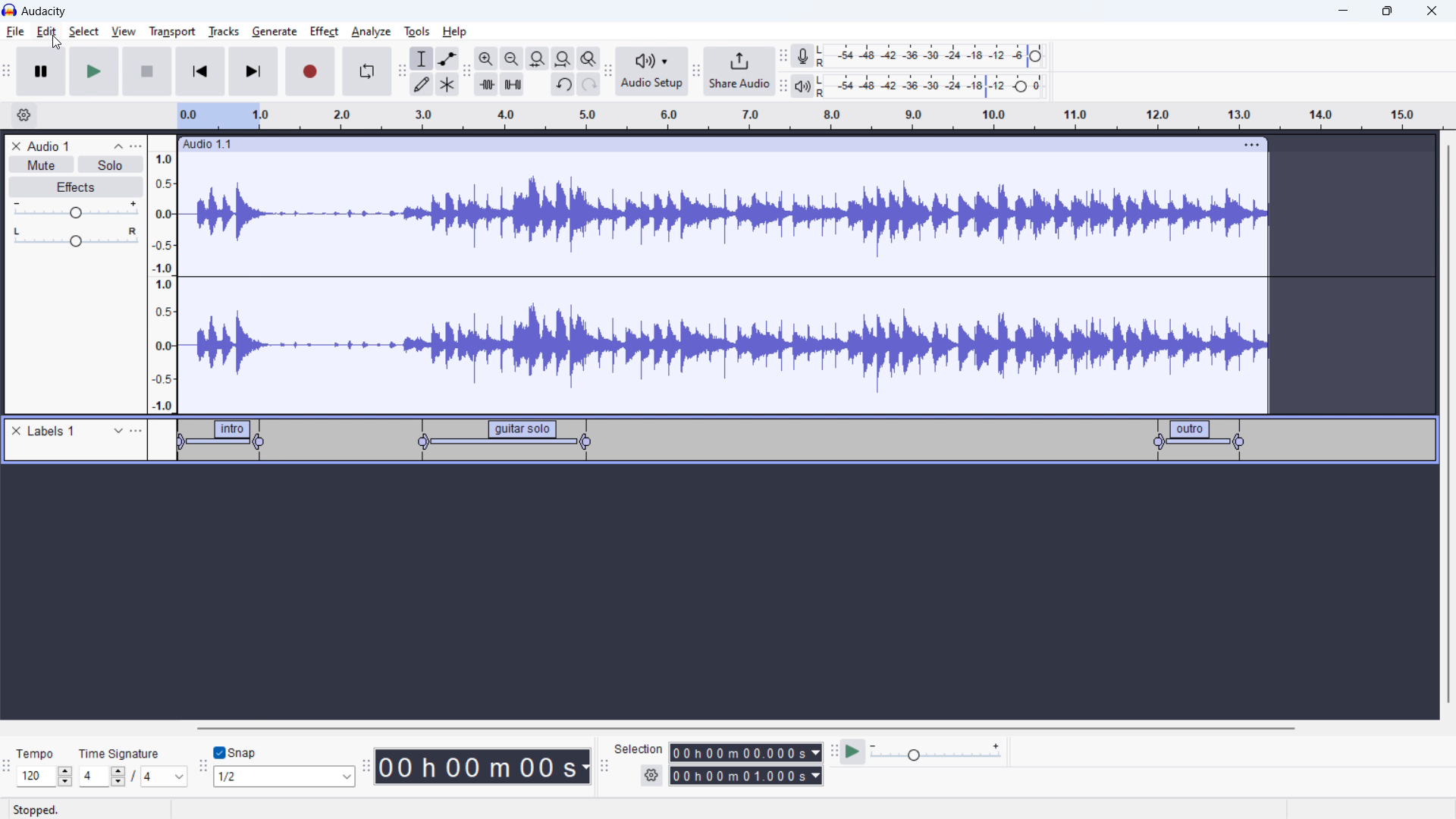 Image resolution: width=1456 pixels, height=819 pixels. Describe the element at coordinates (700, 144) in the screenshot. I see `click to move` at that location.